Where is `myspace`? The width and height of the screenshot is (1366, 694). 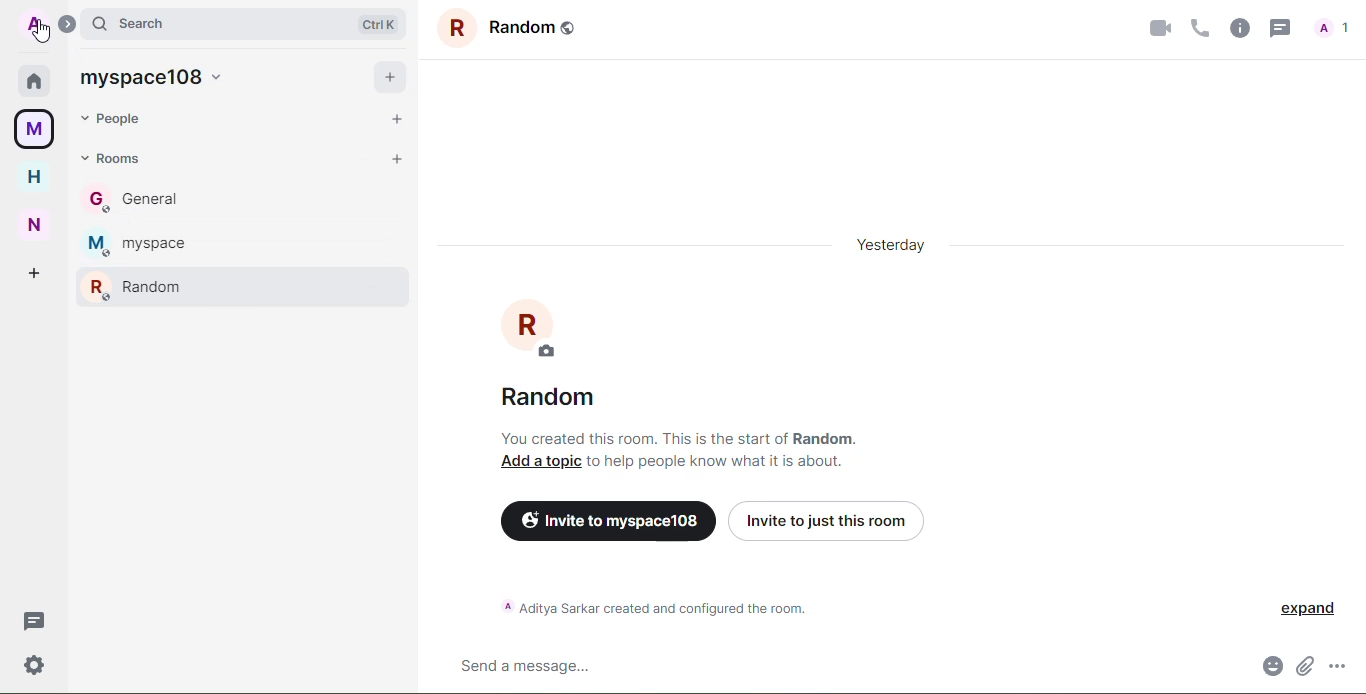 myspace is located at coordinates (155, 74).